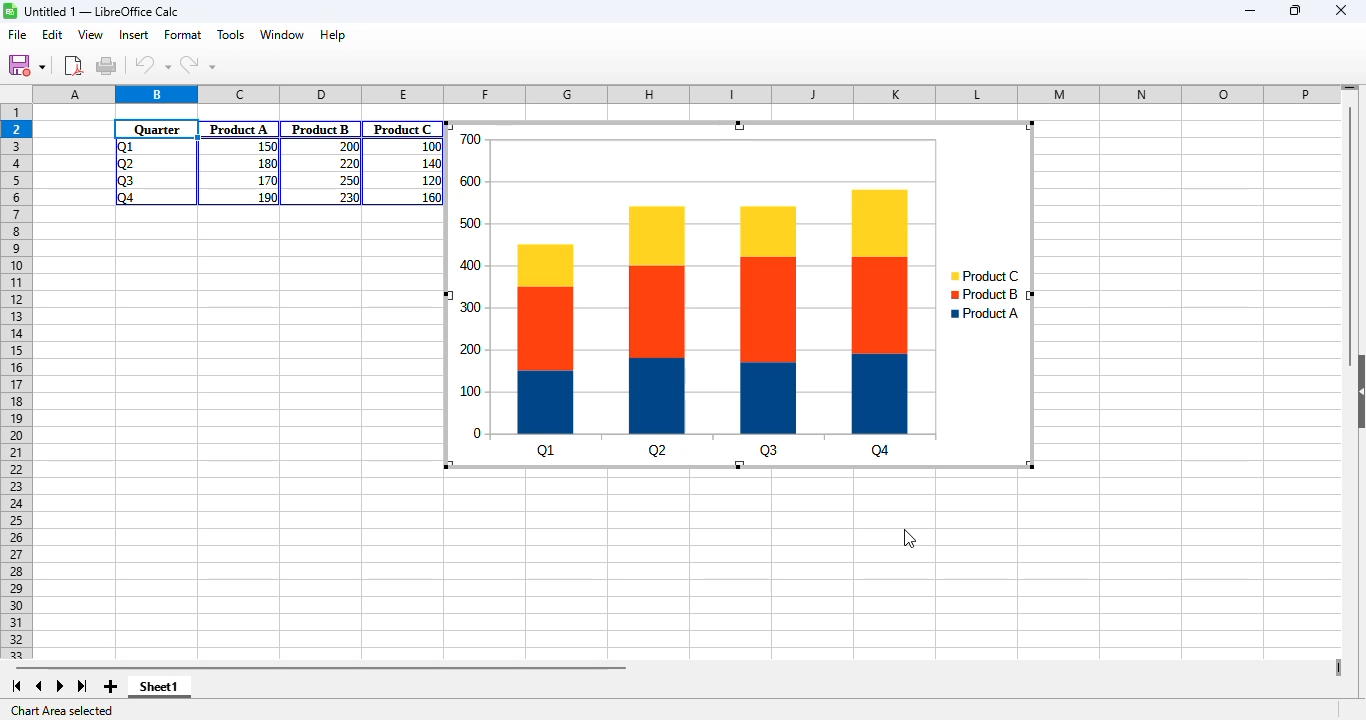  I want to click on vertical scroll bar, so click(1352, 232).